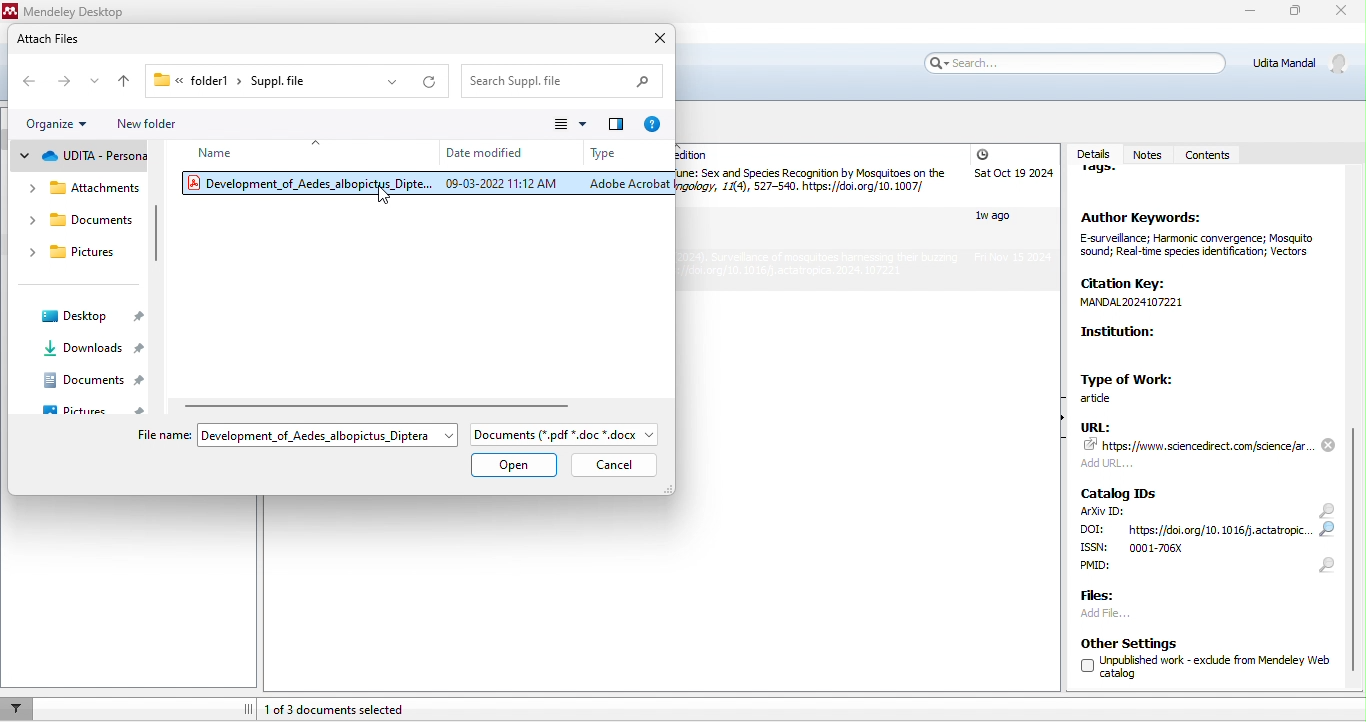 Image resolution: width=1366 pixels, height=722 pixels. I want to click on URL, so click(1210, 444).